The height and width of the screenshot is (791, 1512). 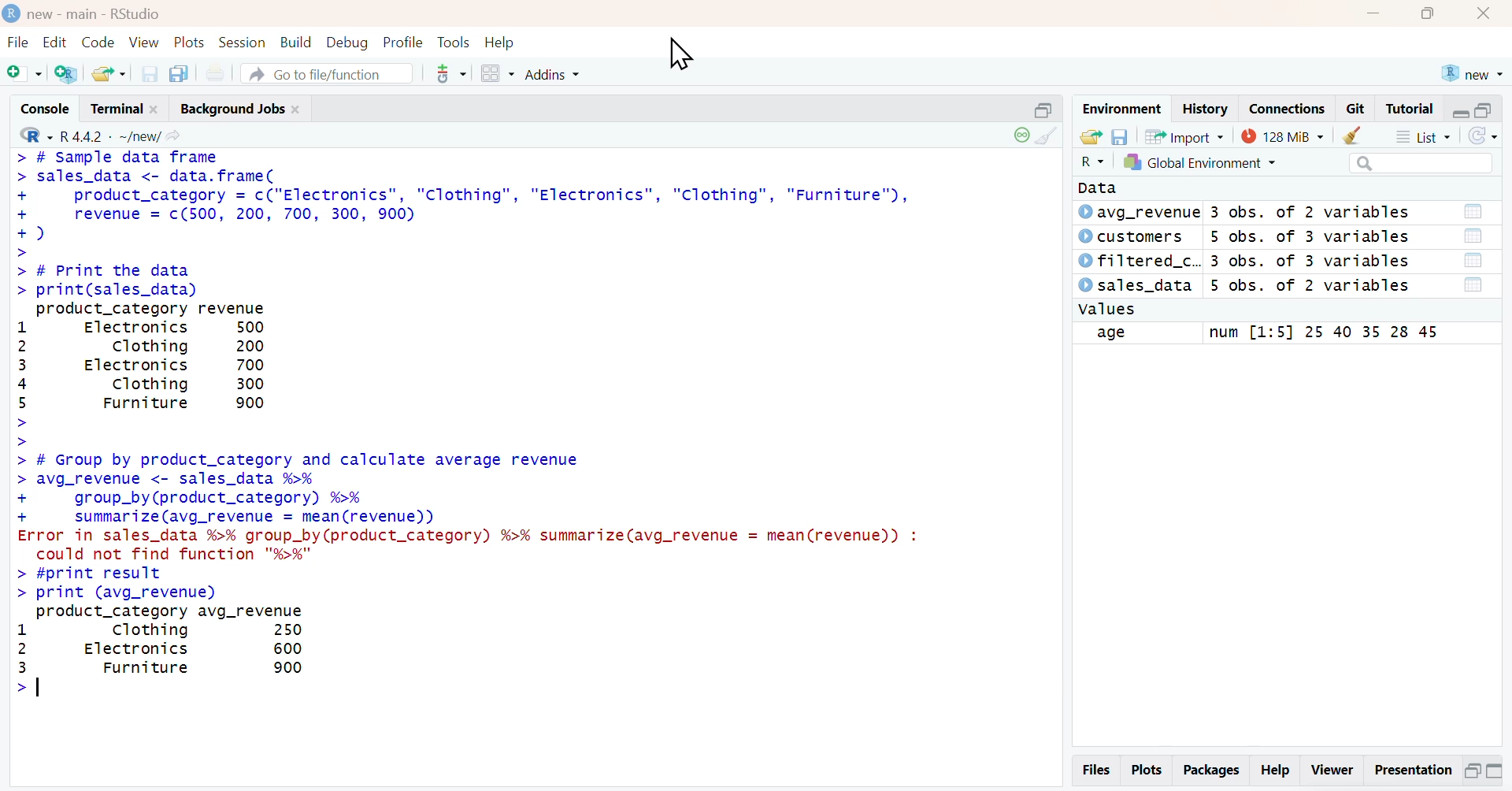 What do you see at coordinates (1051, 136) in the screenshot?
I see `clear console` at bounding box center [1051, 136].